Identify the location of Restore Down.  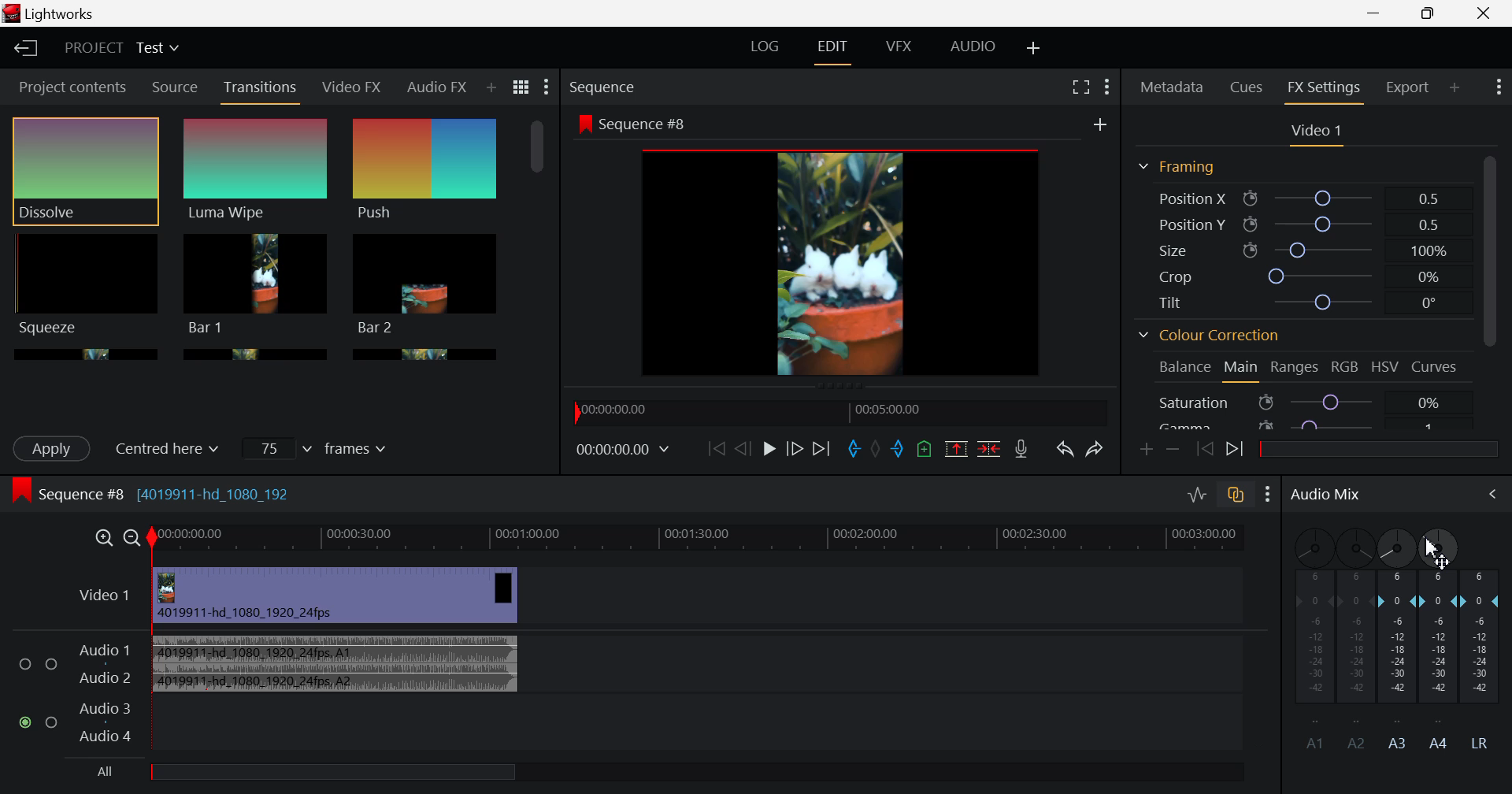
(1374, 14).